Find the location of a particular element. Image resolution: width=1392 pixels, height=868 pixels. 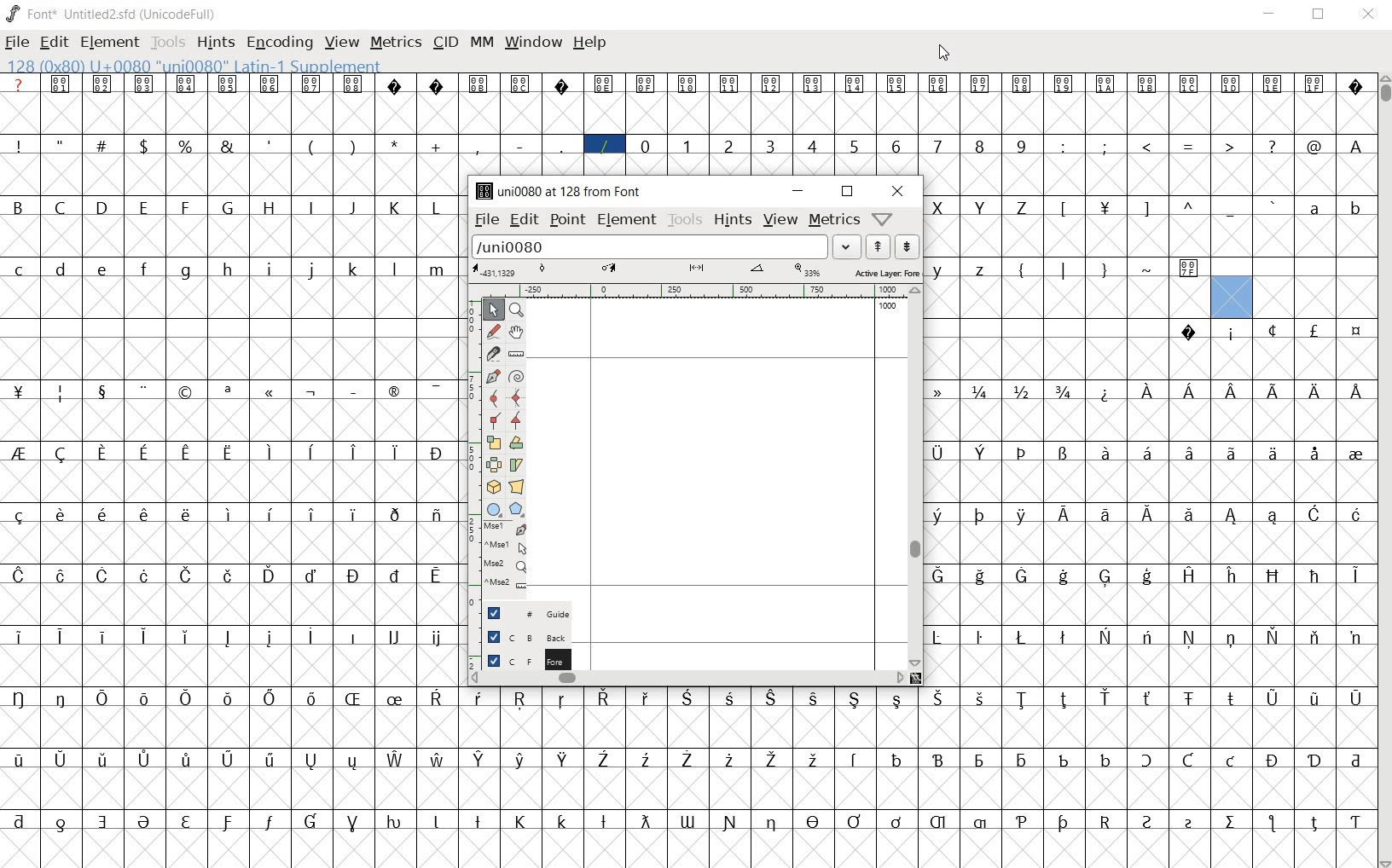

glyph is located at coordinates (1190, 205).